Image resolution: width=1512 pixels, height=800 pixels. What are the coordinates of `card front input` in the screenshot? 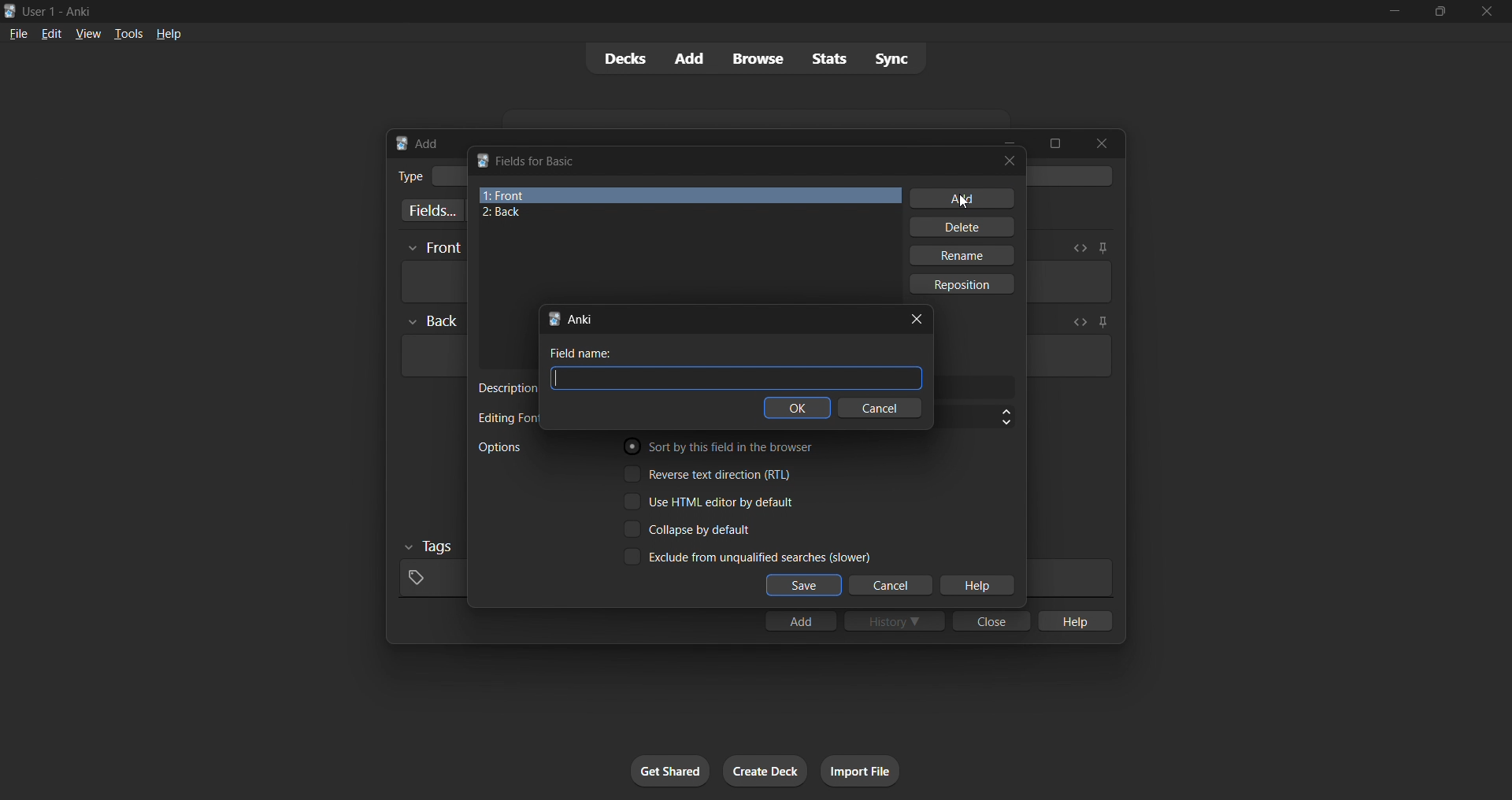 It's located at (432, 282).